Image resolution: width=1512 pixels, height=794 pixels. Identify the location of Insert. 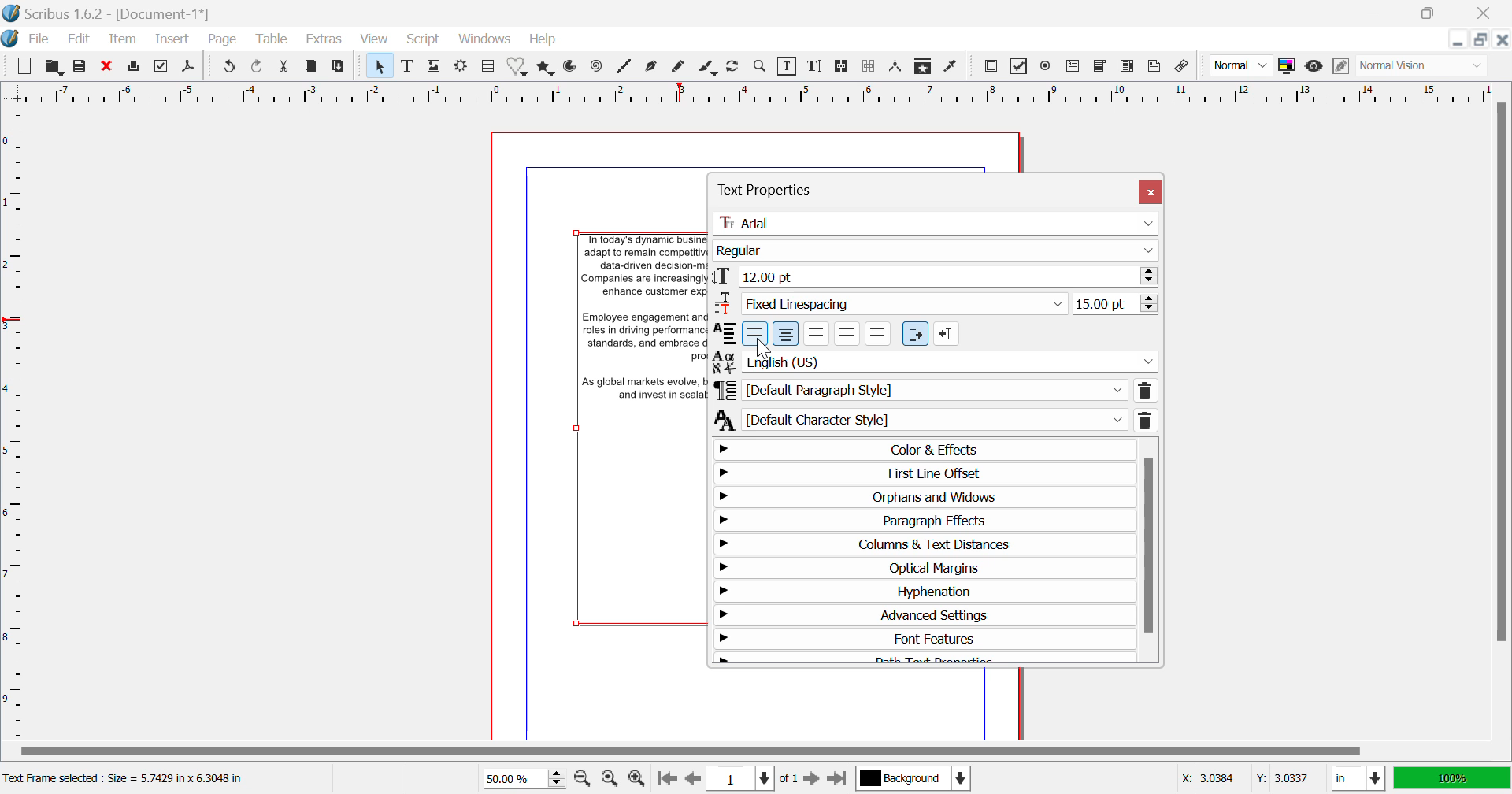
(174, 39).